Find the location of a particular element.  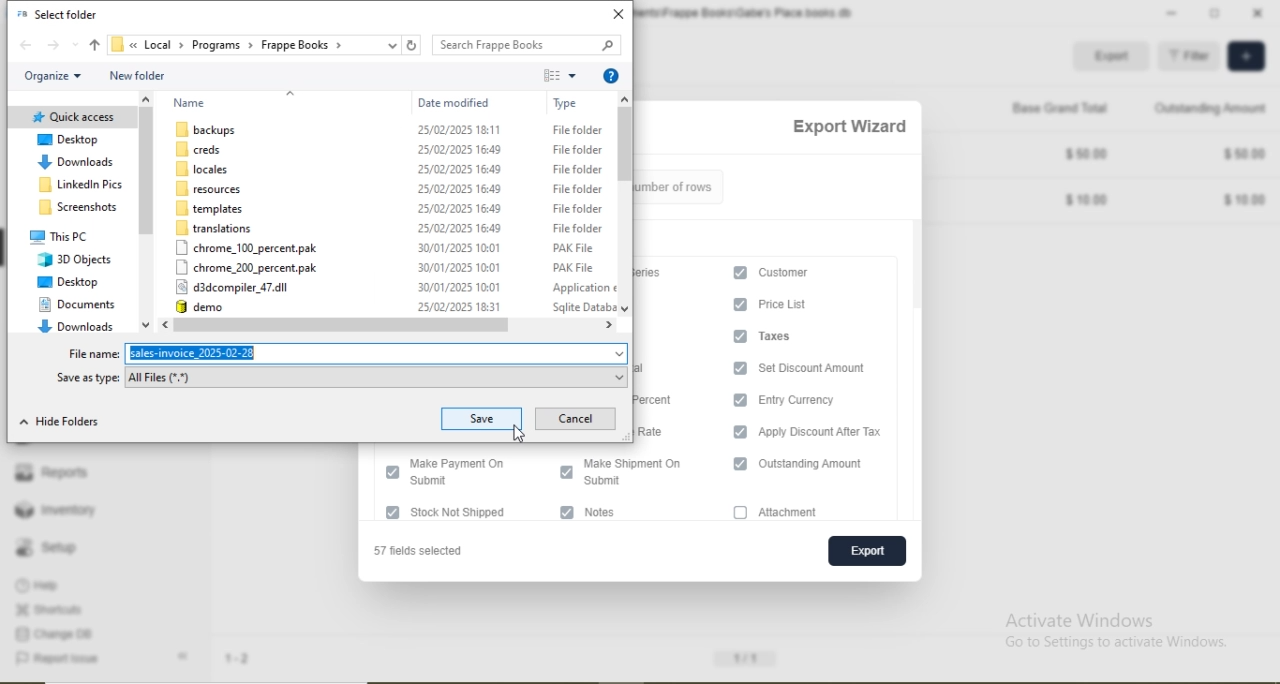

checkbox is located at coordinates (568, 512).